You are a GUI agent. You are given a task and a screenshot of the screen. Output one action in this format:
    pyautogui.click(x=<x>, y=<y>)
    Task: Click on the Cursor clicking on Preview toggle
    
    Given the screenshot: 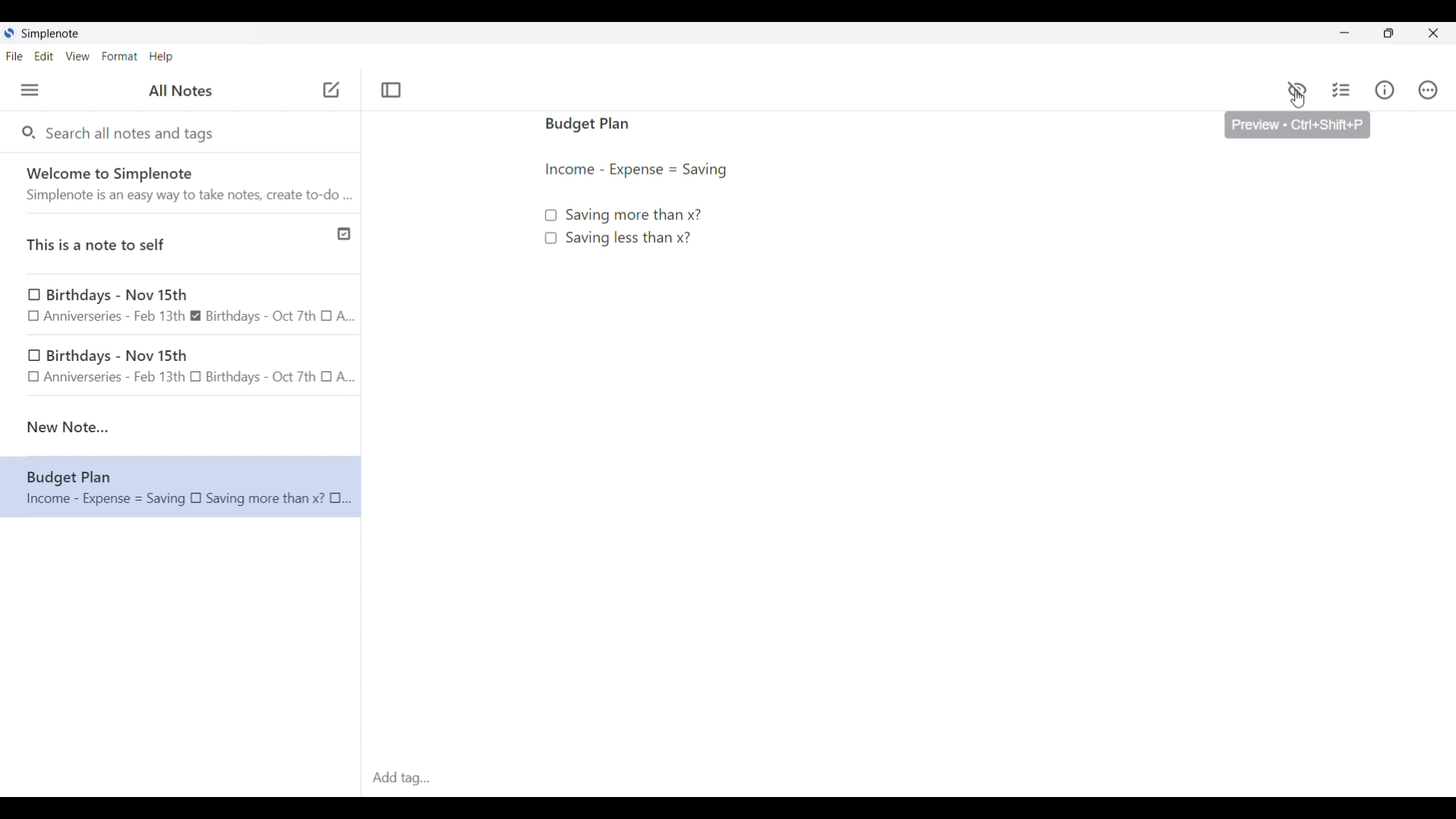 What is the action you would take?
    pyautogui.click(x=1298, y=99)
    